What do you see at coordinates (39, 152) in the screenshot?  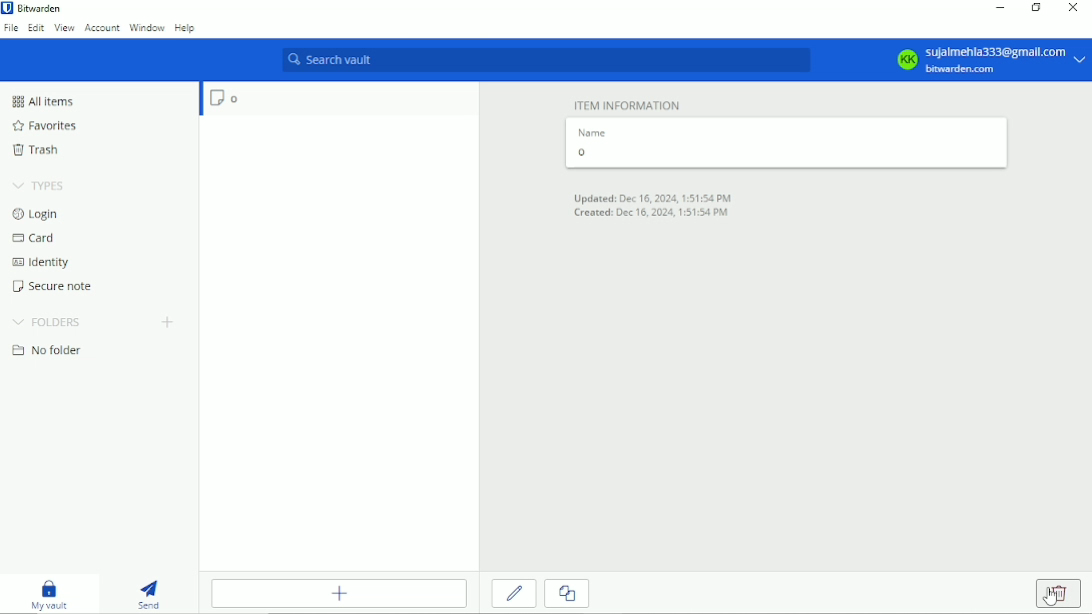 I see `Trash` at bounding box center [39, 152].